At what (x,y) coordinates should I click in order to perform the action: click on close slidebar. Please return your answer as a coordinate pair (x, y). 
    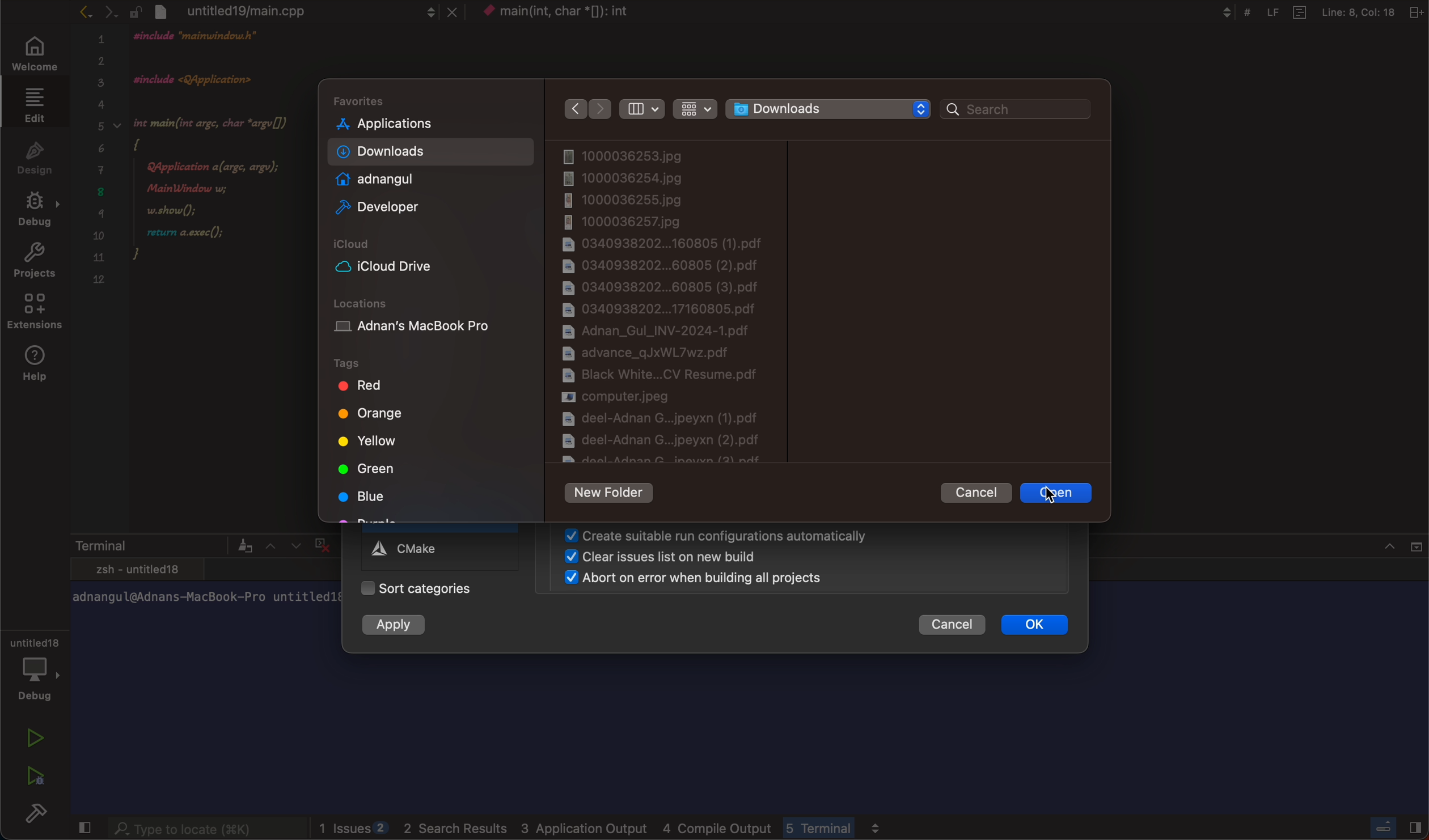
    Looking at the image, I should click on (1392, 826).